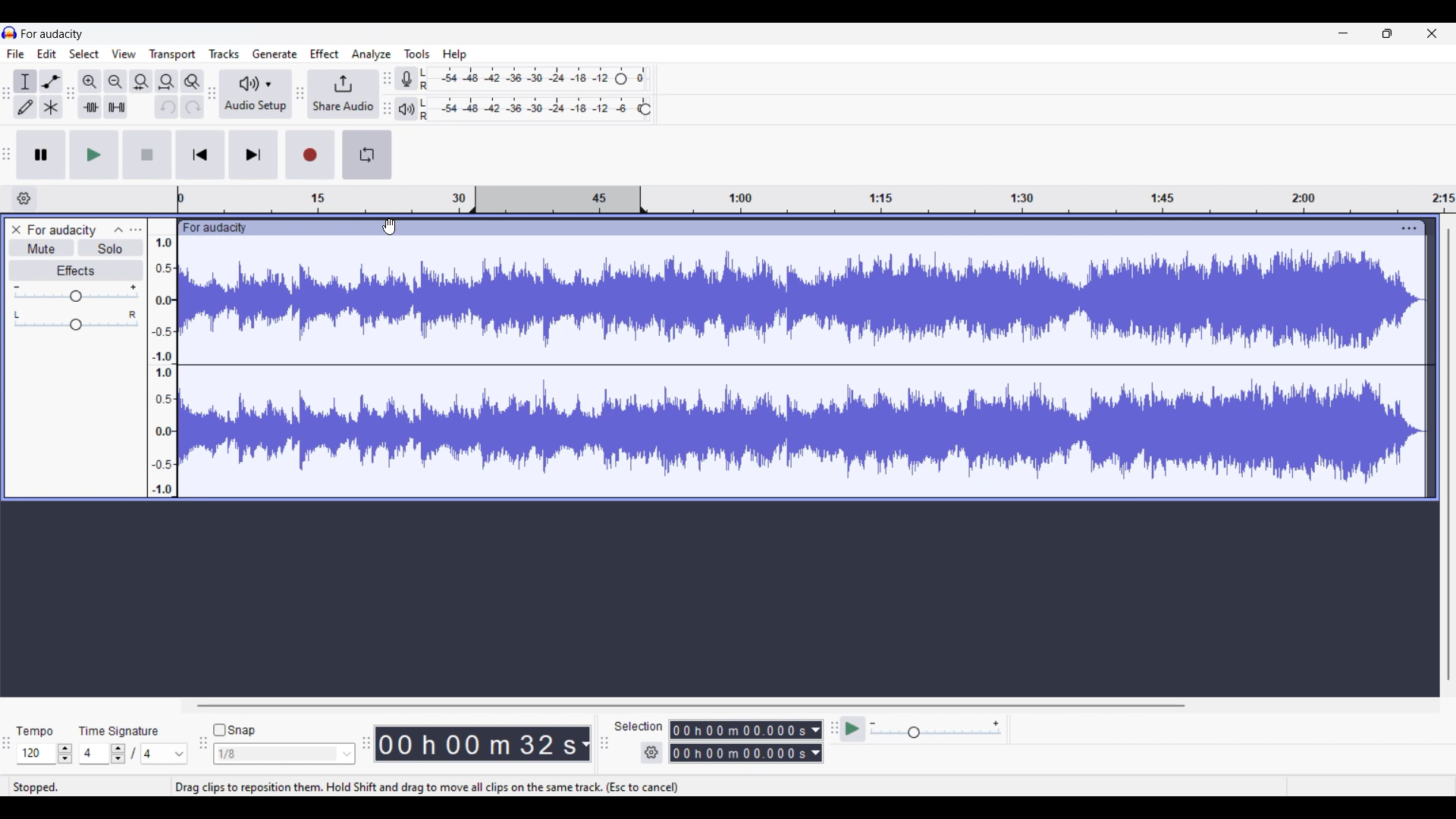 The width and height of the screenshot is (1456, 819). What do you see at coordinates (1410, 228) in the screenshot?
I see `Track settings` at bounding box center [1410, 228].